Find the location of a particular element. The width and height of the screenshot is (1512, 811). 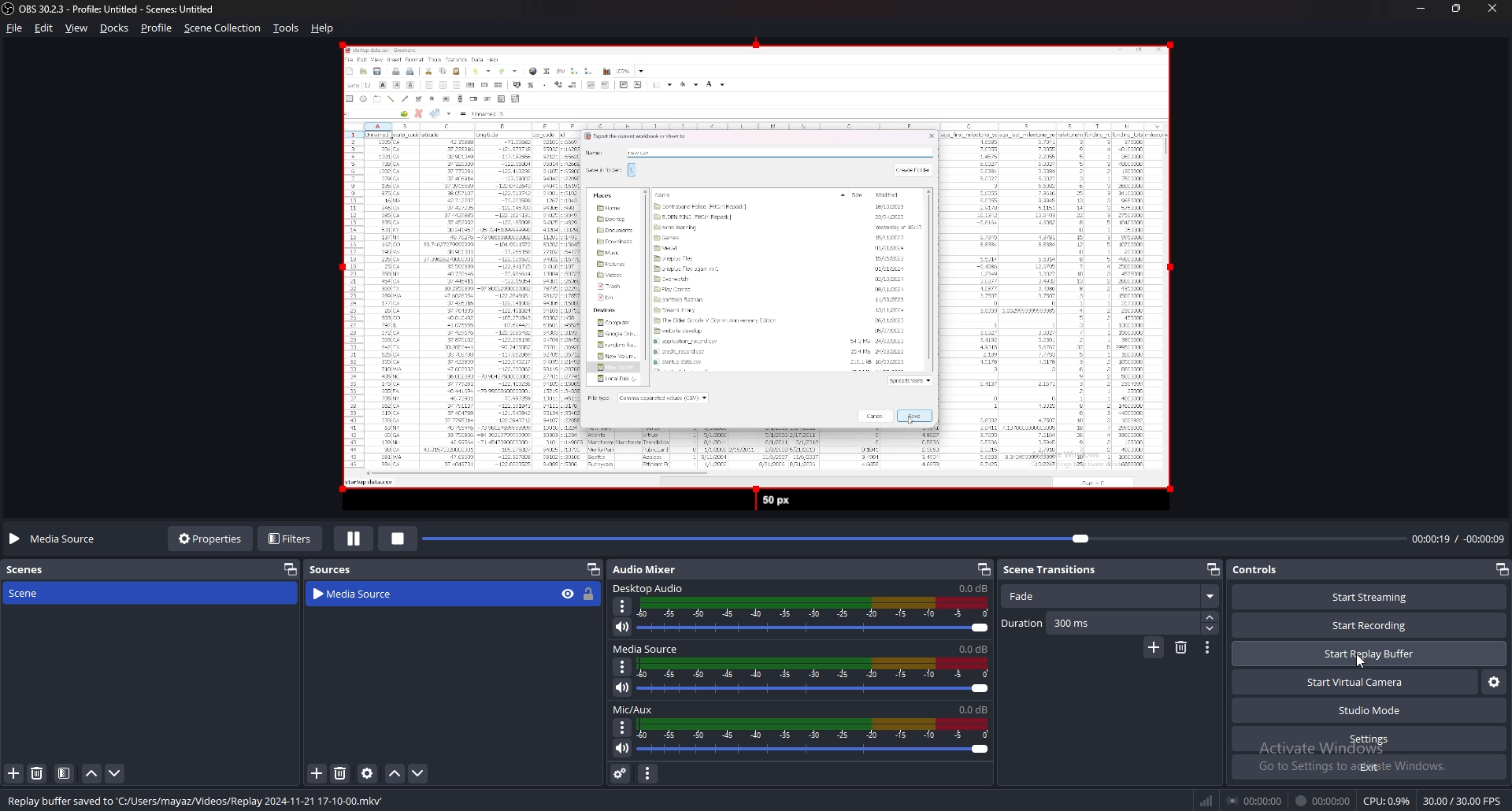

docks is located at coordinates (115, 28).